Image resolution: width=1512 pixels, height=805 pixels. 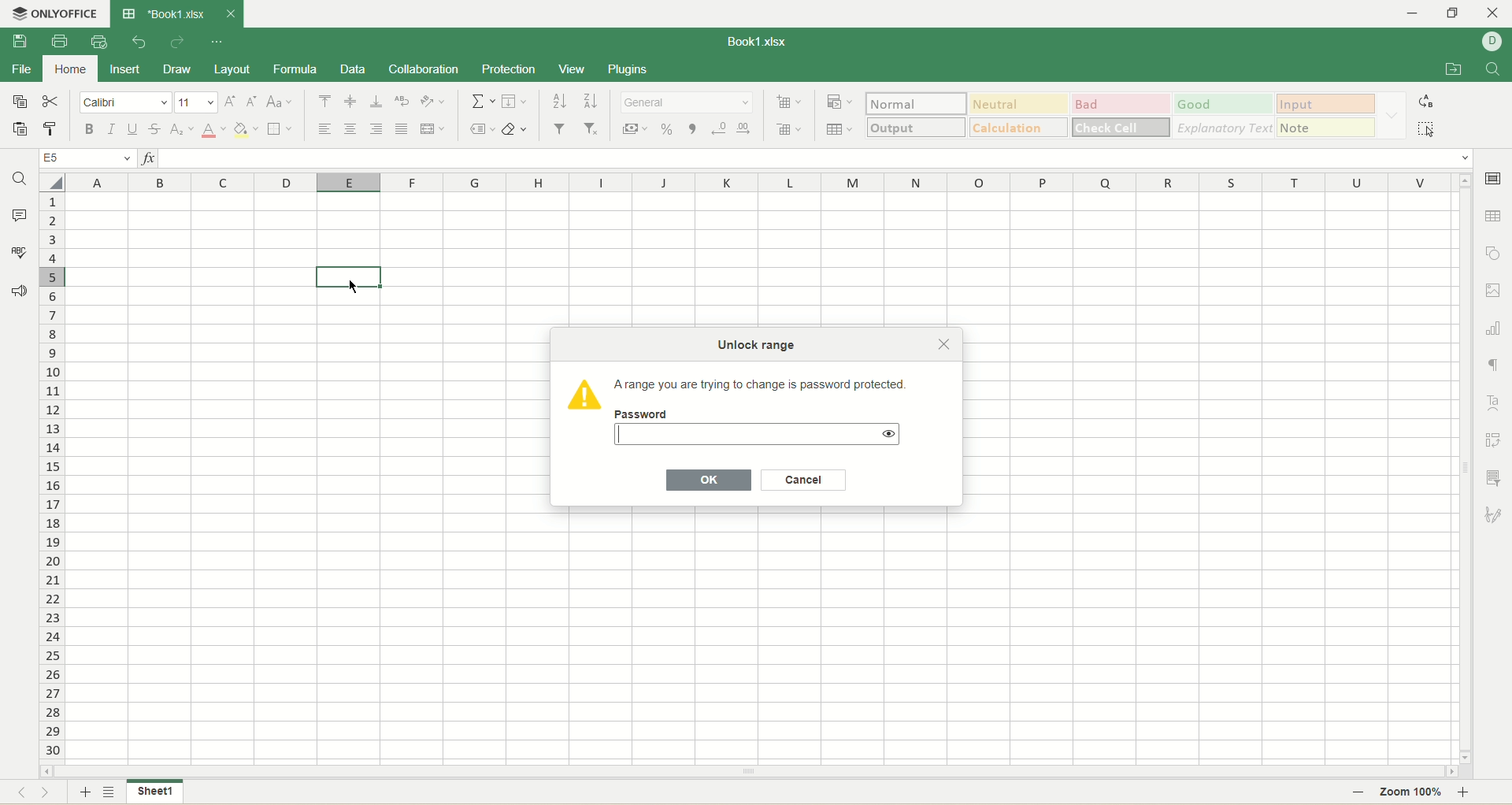 What do you see at coordinates (514, 100) in the screenshot?
I see `fill` at bounding box center [514, 100].